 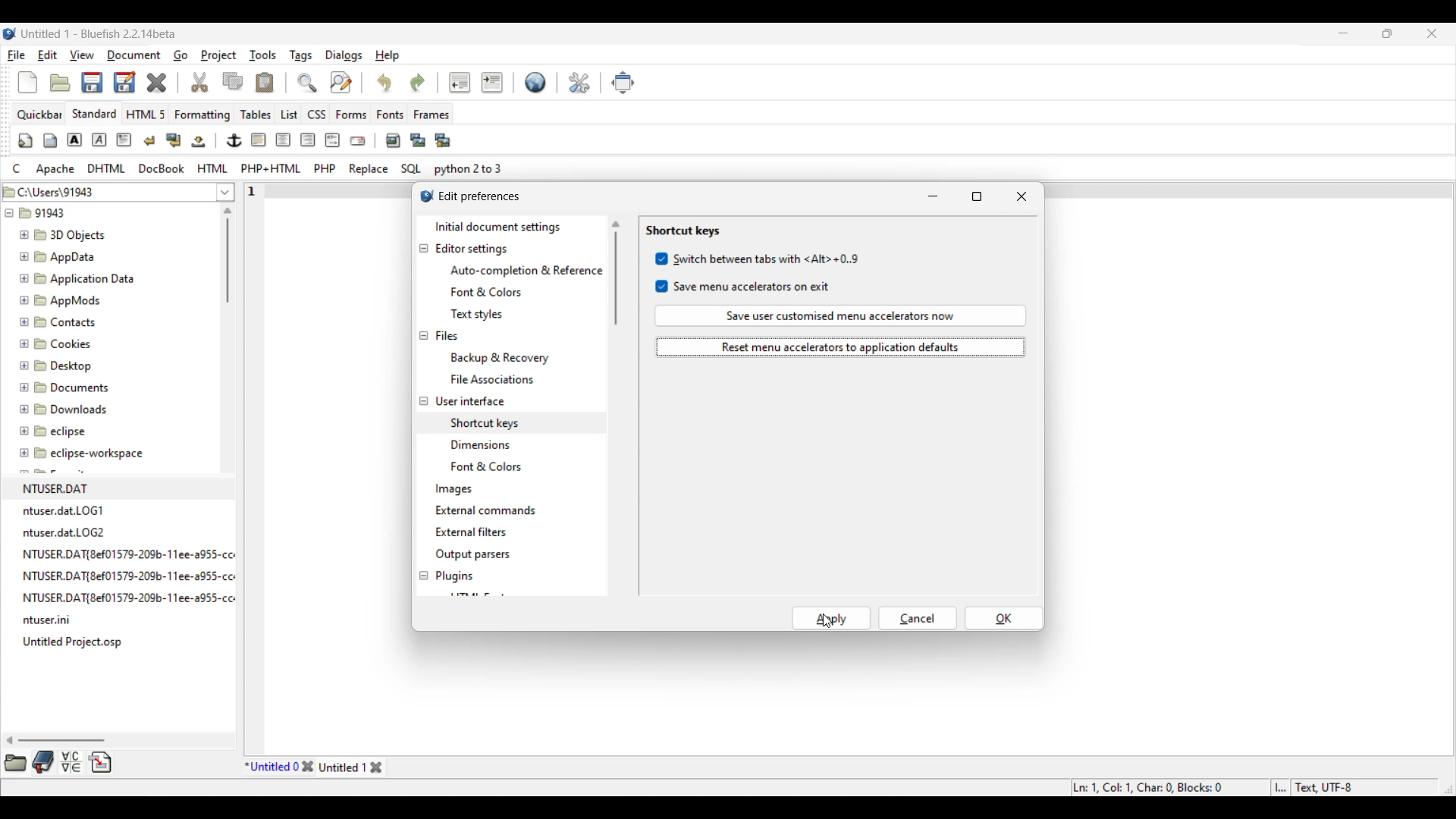 What do you see at coordinates (432, 115) in the screenshot?
I see `Frames` at bounding box center [432, 115].